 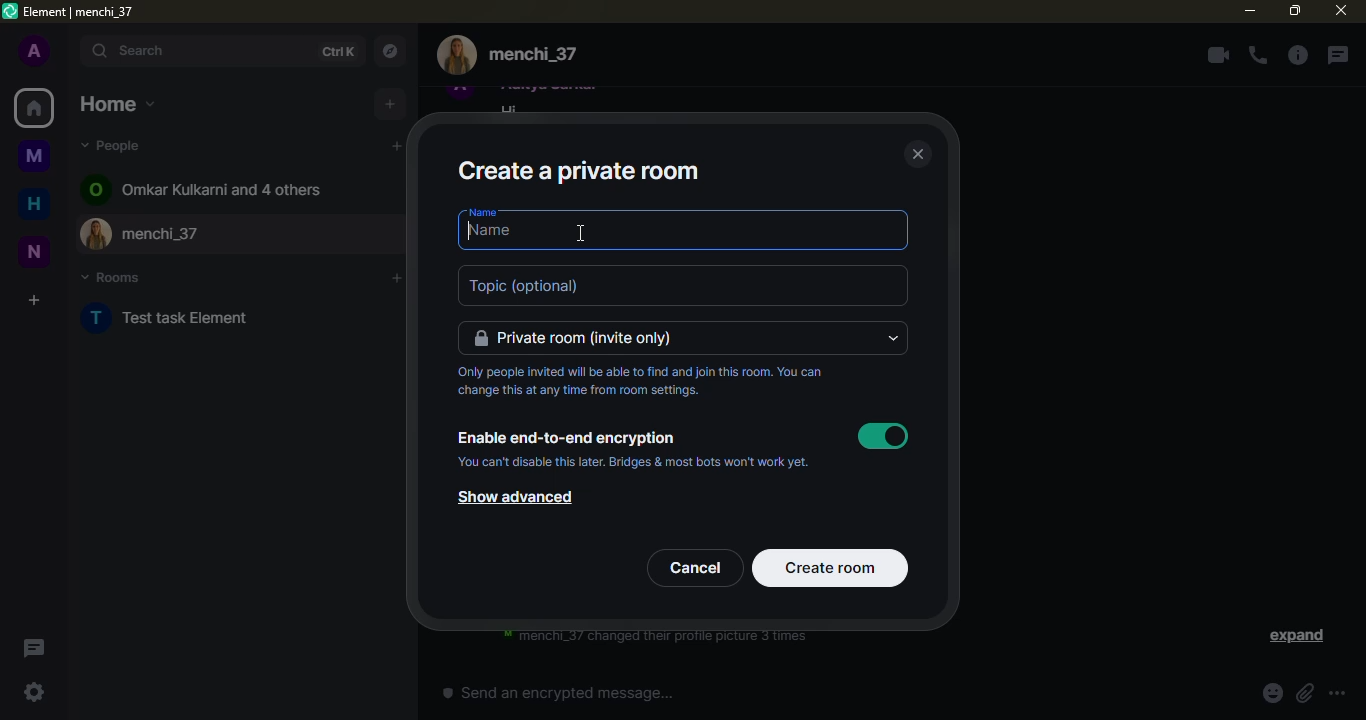 What do you see at coordinates (695, 568) in the screenshot?
I see `cancel` at bounding box center [695, 568].